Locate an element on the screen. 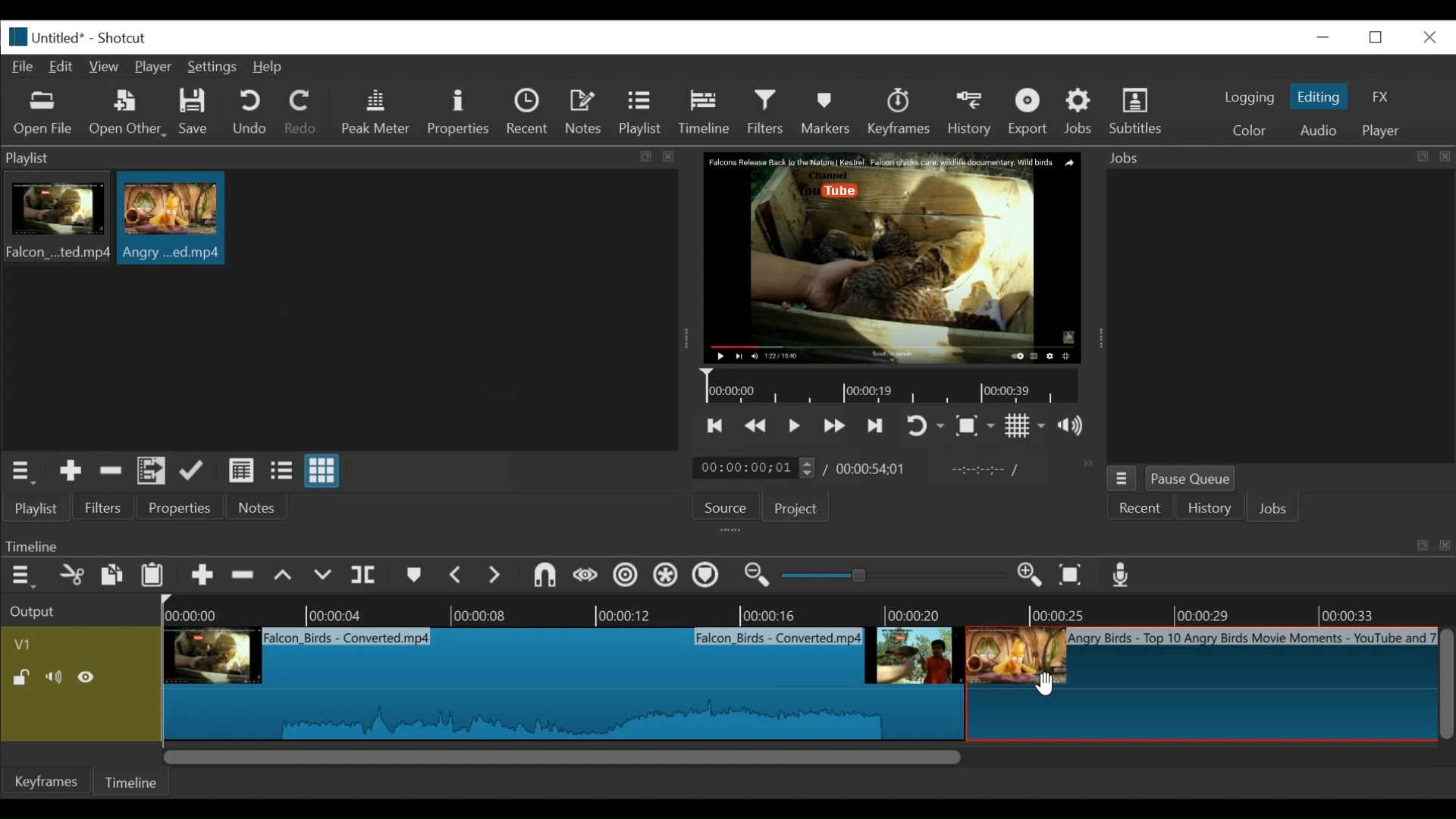 Image resolution: width=1456 pixels, height=819 pixels. Append is located at coordinates (202, 579).